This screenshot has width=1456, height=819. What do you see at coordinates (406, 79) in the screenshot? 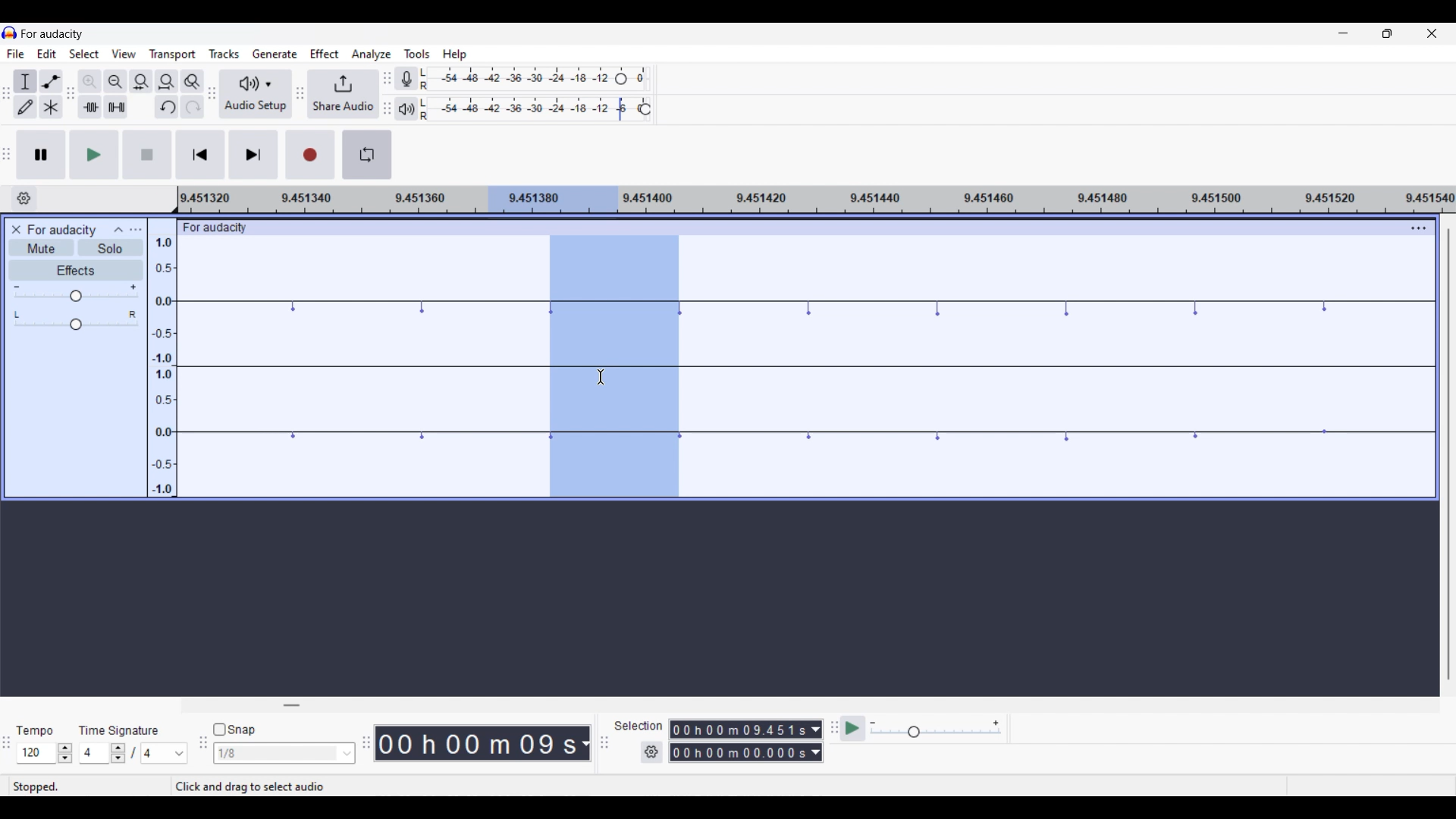
I see `Record meter` at bounding box center [406, 79].